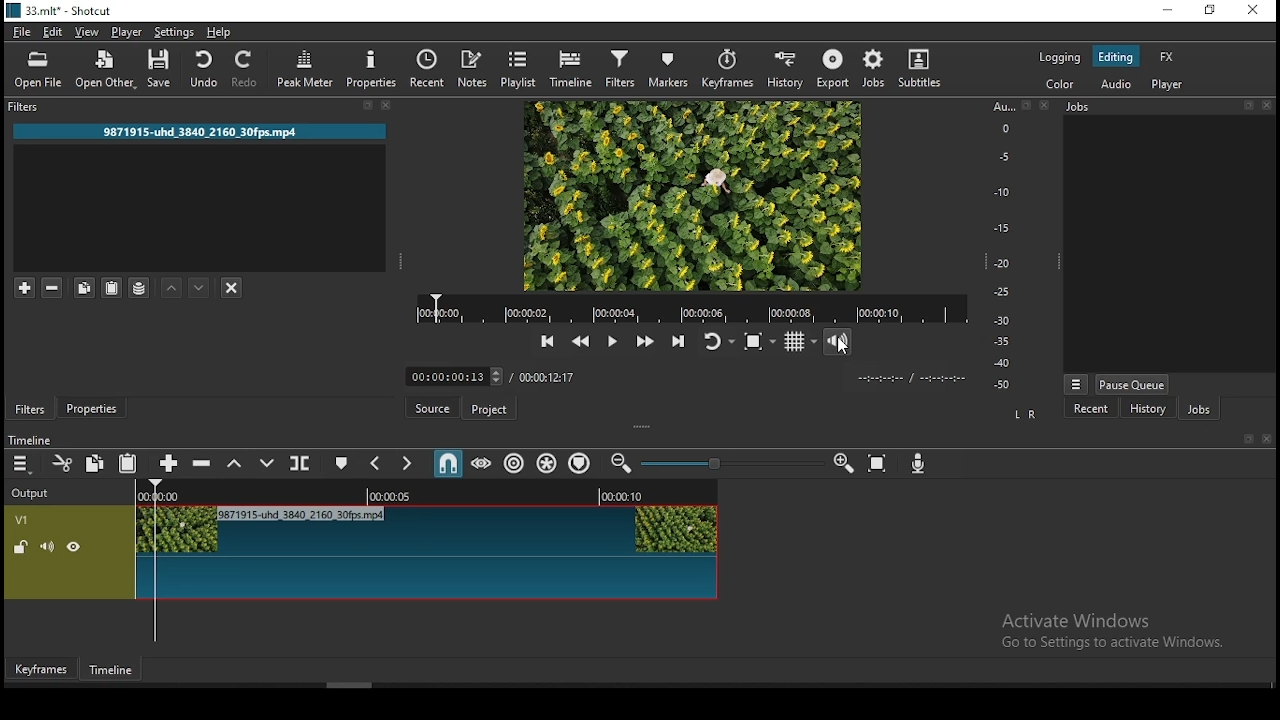  What do you see at coordinates (1267, 441) in the screenshot?
I see `close` at bounding box center [1267, 441].